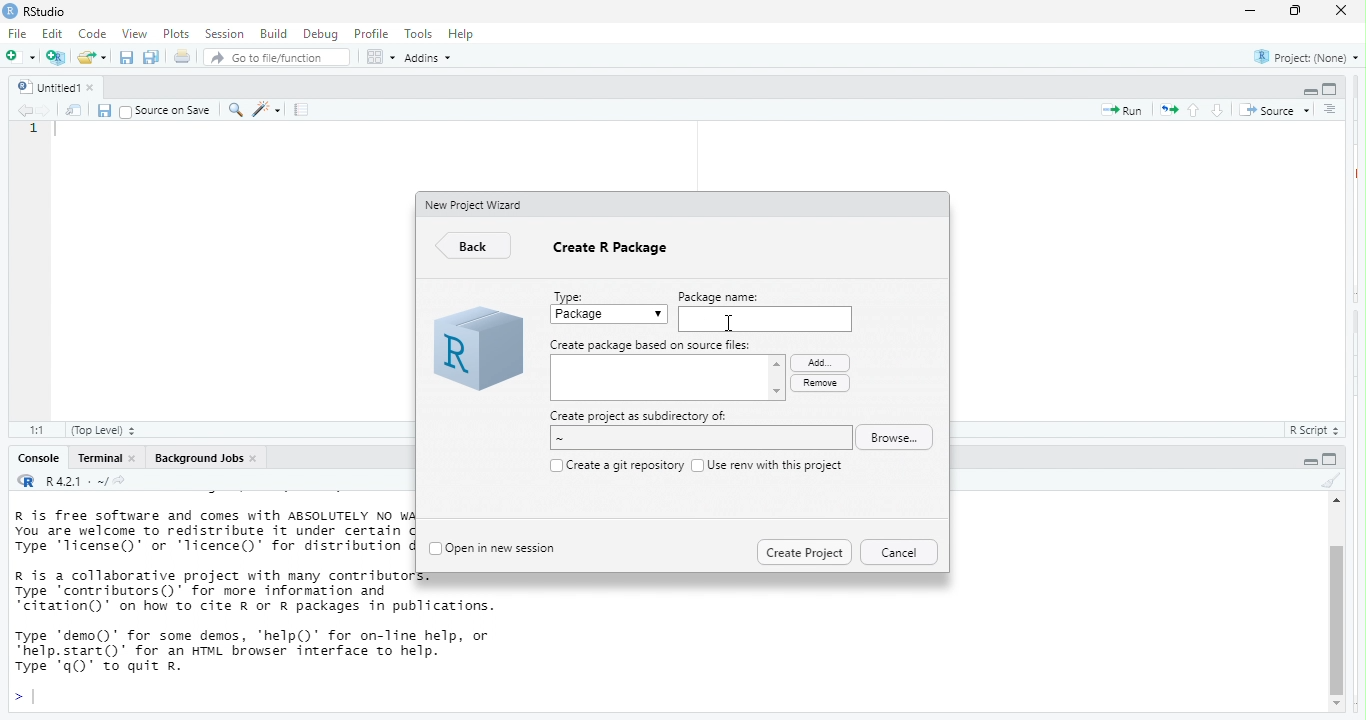 This screenshot has height=720, width=1366. Describe the element at coordinates (668, 380) in the screenshot. I see `create package based on source files` at that location.